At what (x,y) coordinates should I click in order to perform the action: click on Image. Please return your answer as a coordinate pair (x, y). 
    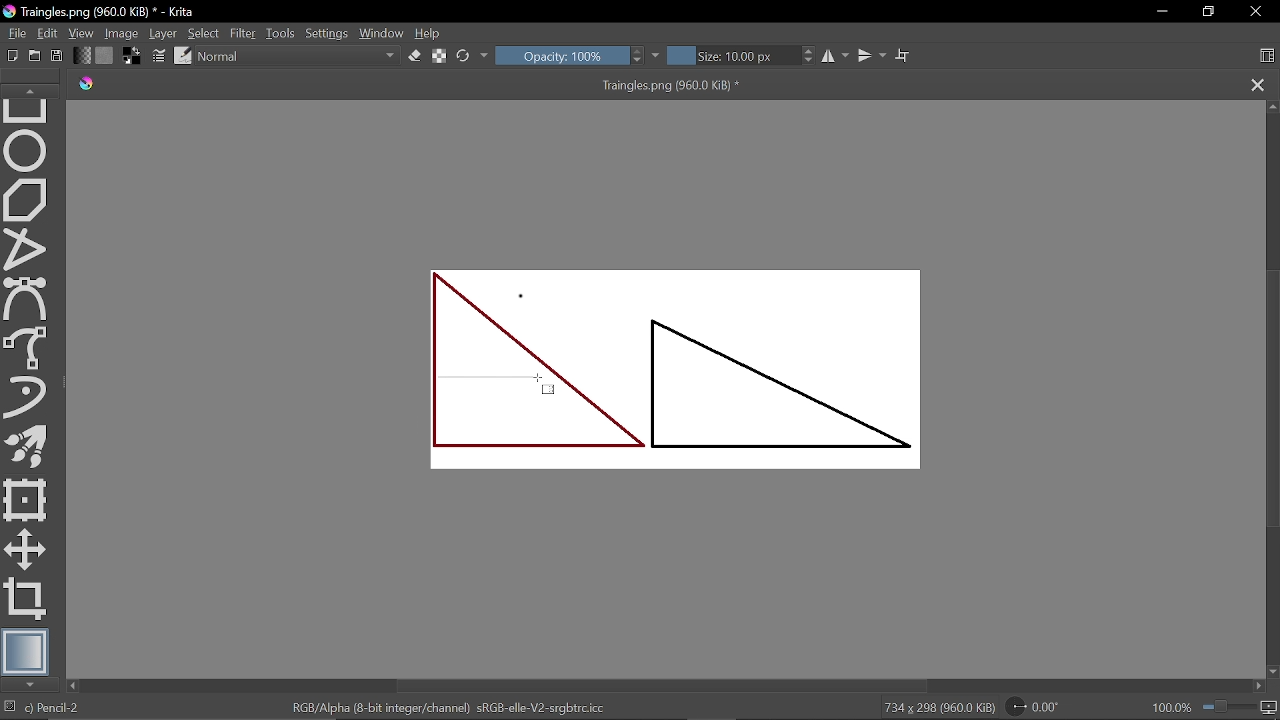
    Looking at the image, I should click on (121, 33).